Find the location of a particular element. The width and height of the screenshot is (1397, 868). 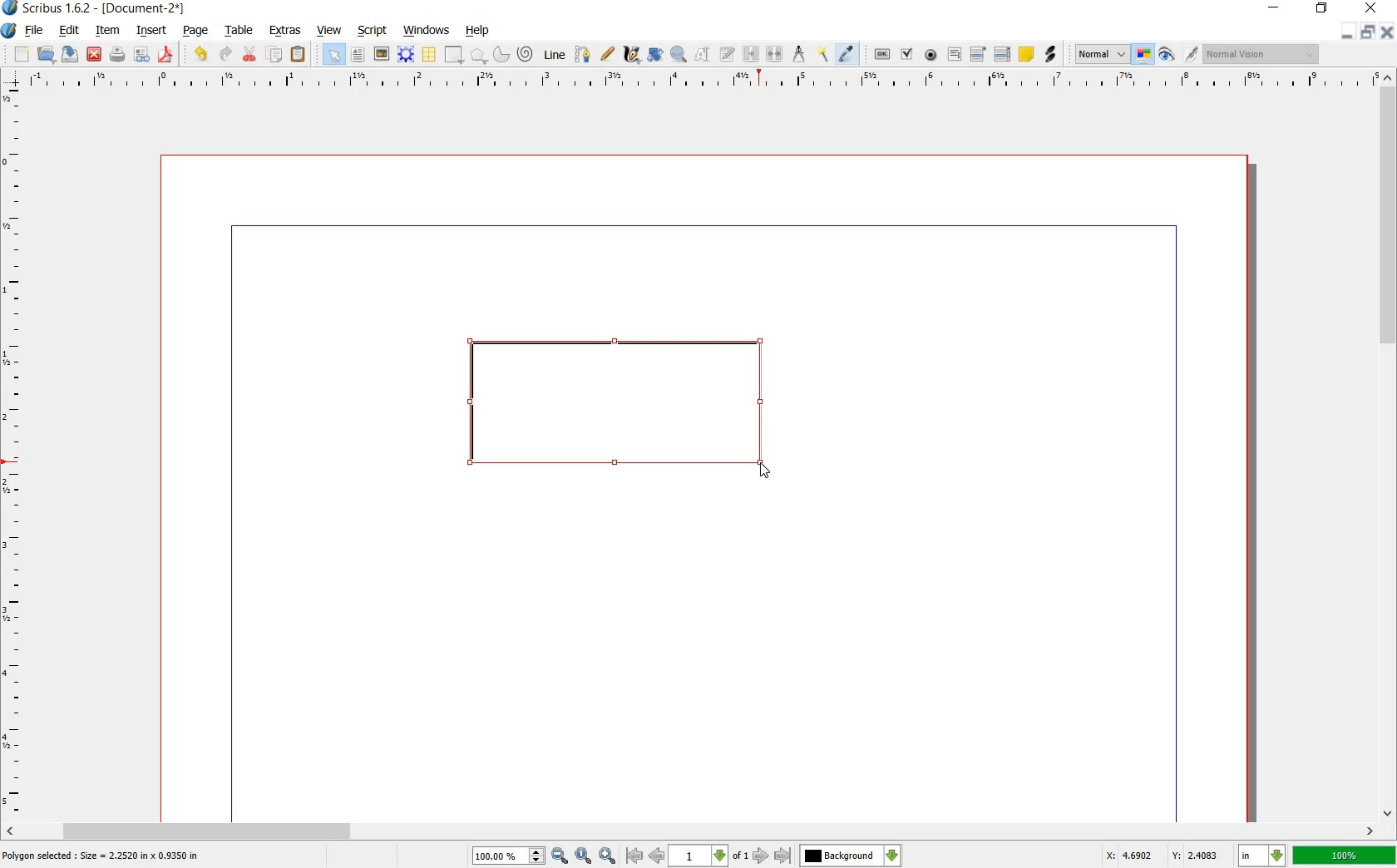

IMAGE is located at coordinates (382, 53).